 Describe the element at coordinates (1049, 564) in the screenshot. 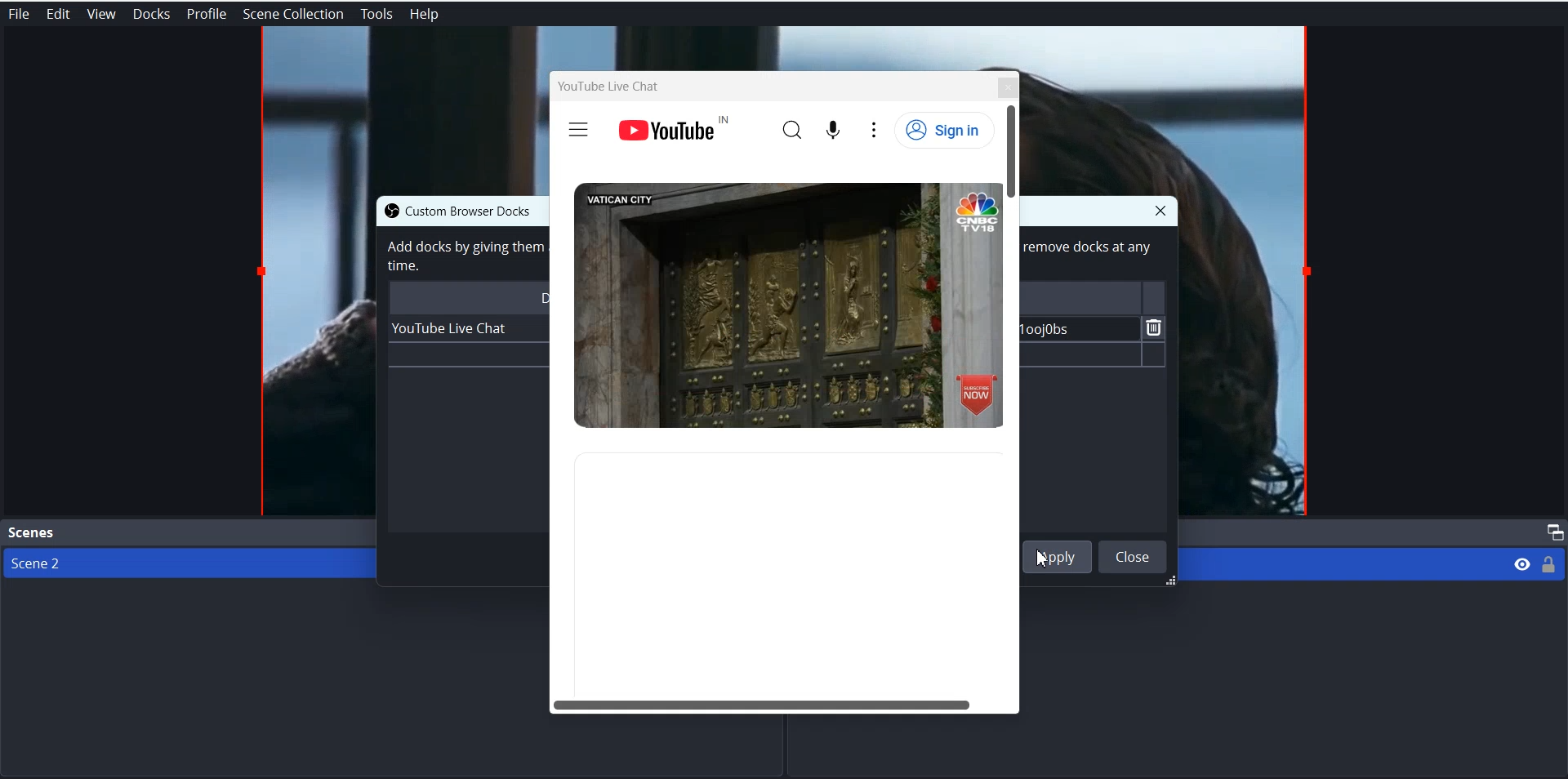

I see `Cursor` at that location.